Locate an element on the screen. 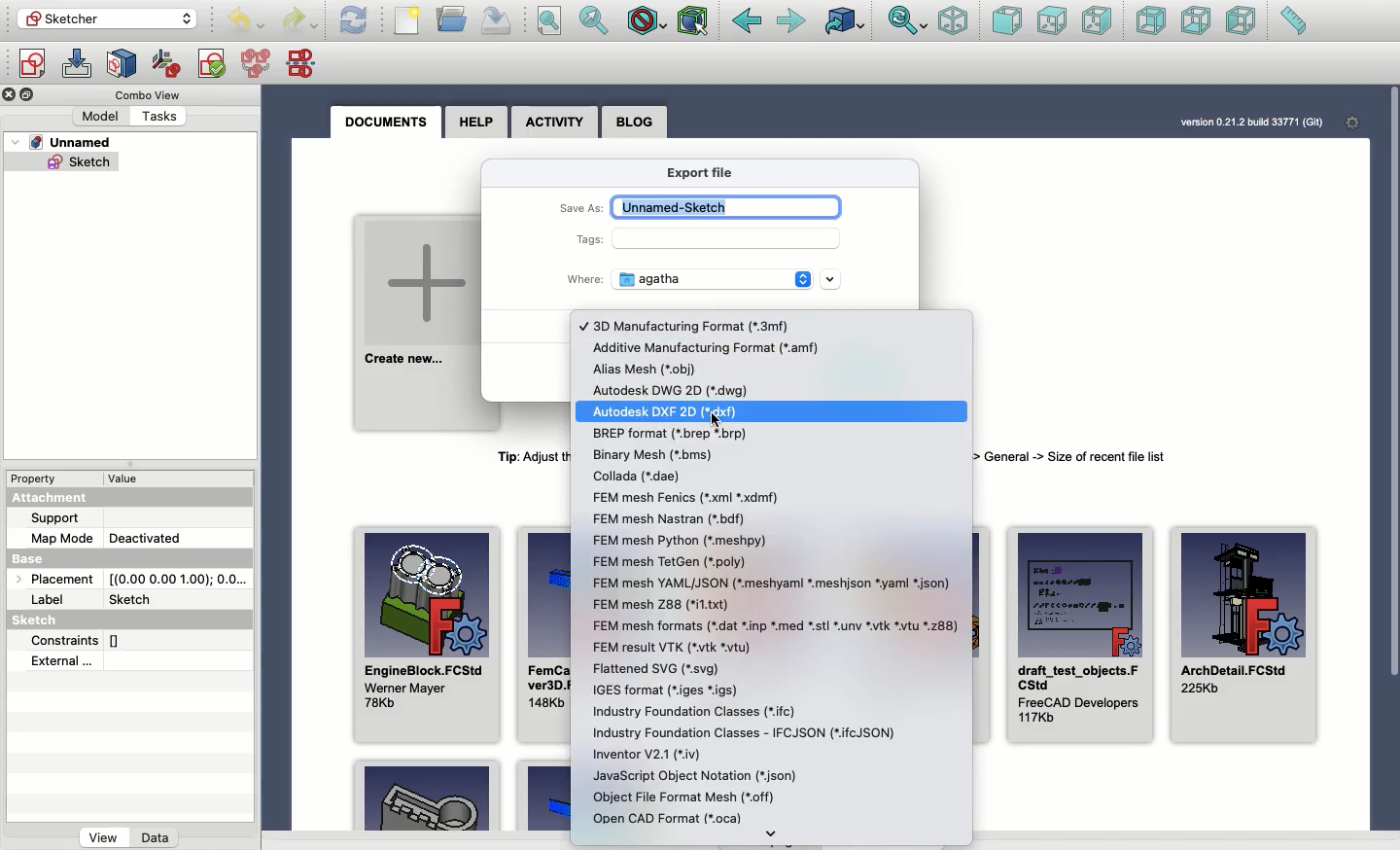 This screenshot has height=850, width=1400. ArchDetail.FCStd 225Kb is located at coordinates (1246, 635).